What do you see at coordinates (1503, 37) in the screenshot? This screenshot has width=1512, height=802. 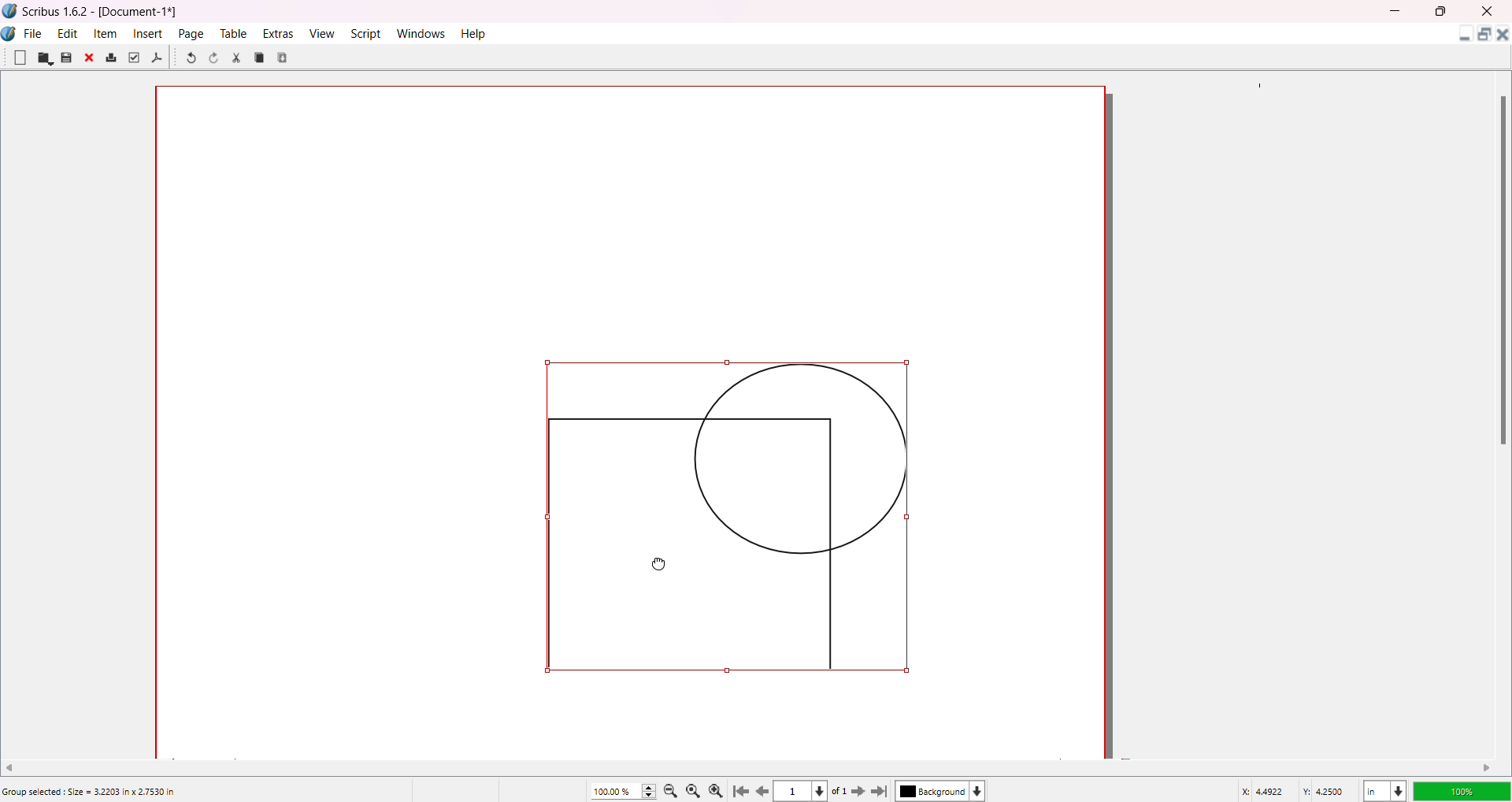 I see `Close Document` at bounding box center [1503, 37].